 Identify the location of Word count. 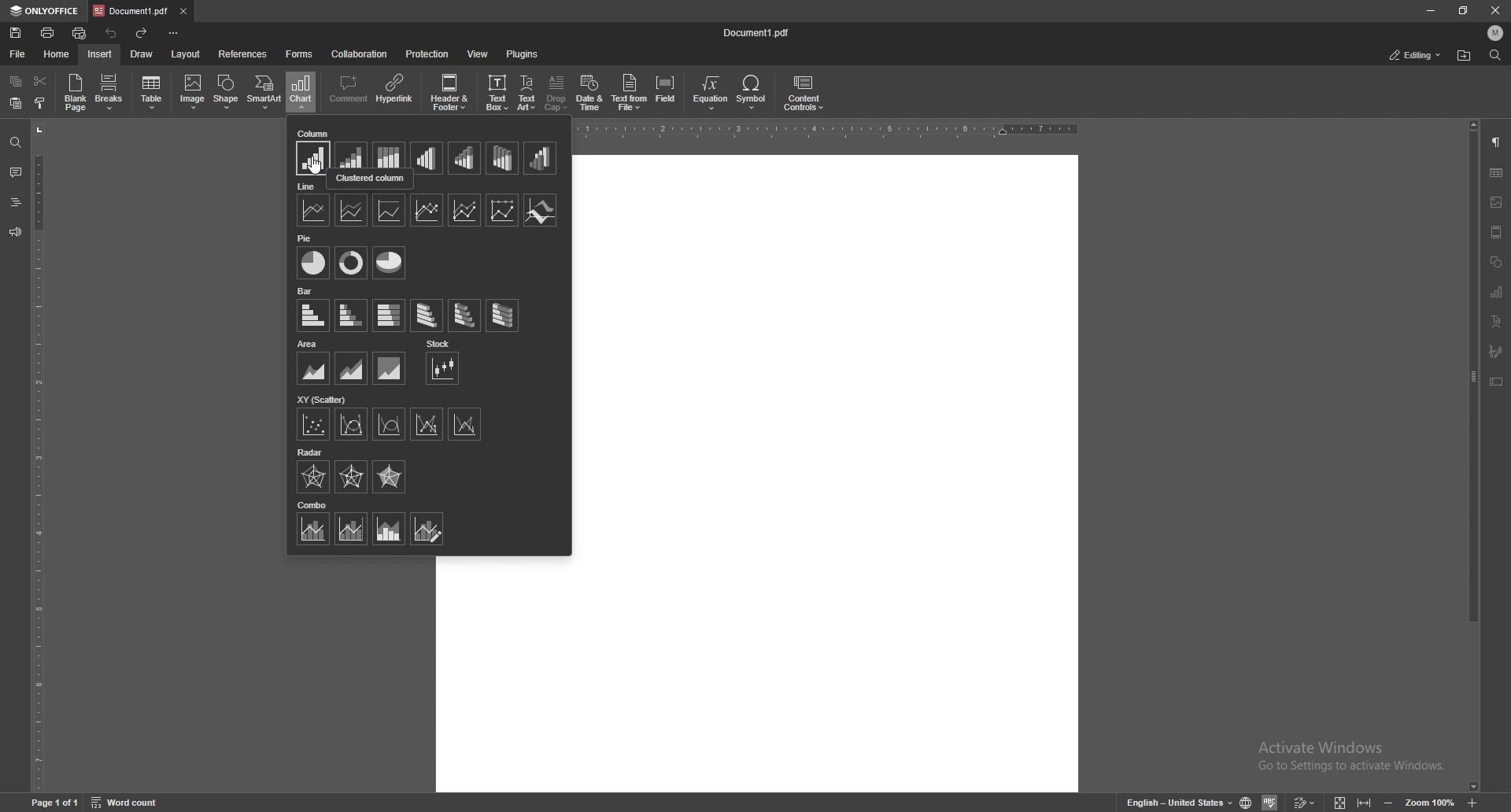
(124, 803).